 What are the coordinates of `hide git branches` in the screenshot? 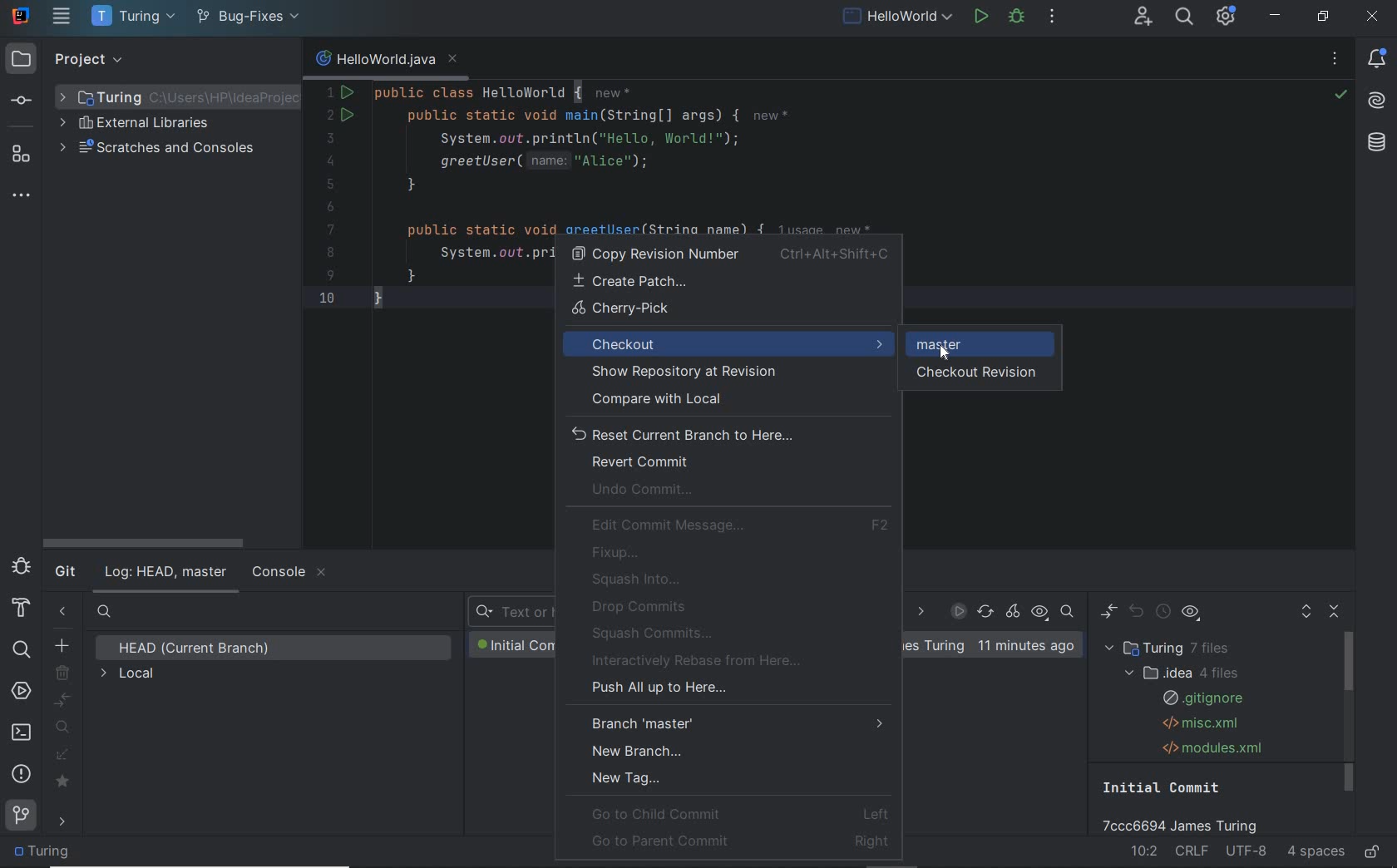 It's located at (63, 614).